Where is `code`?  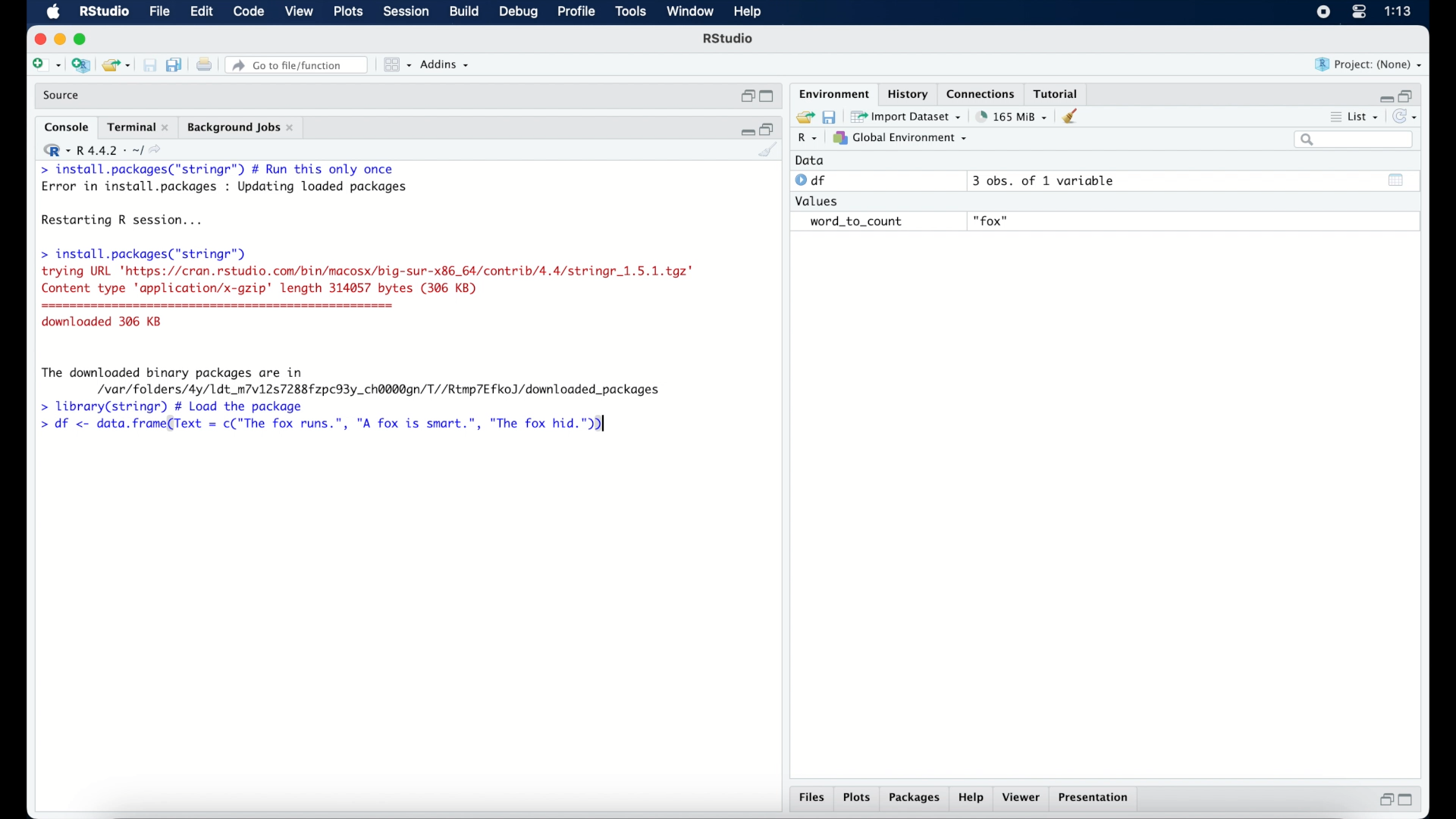
code is located at coordinates (249, 12).